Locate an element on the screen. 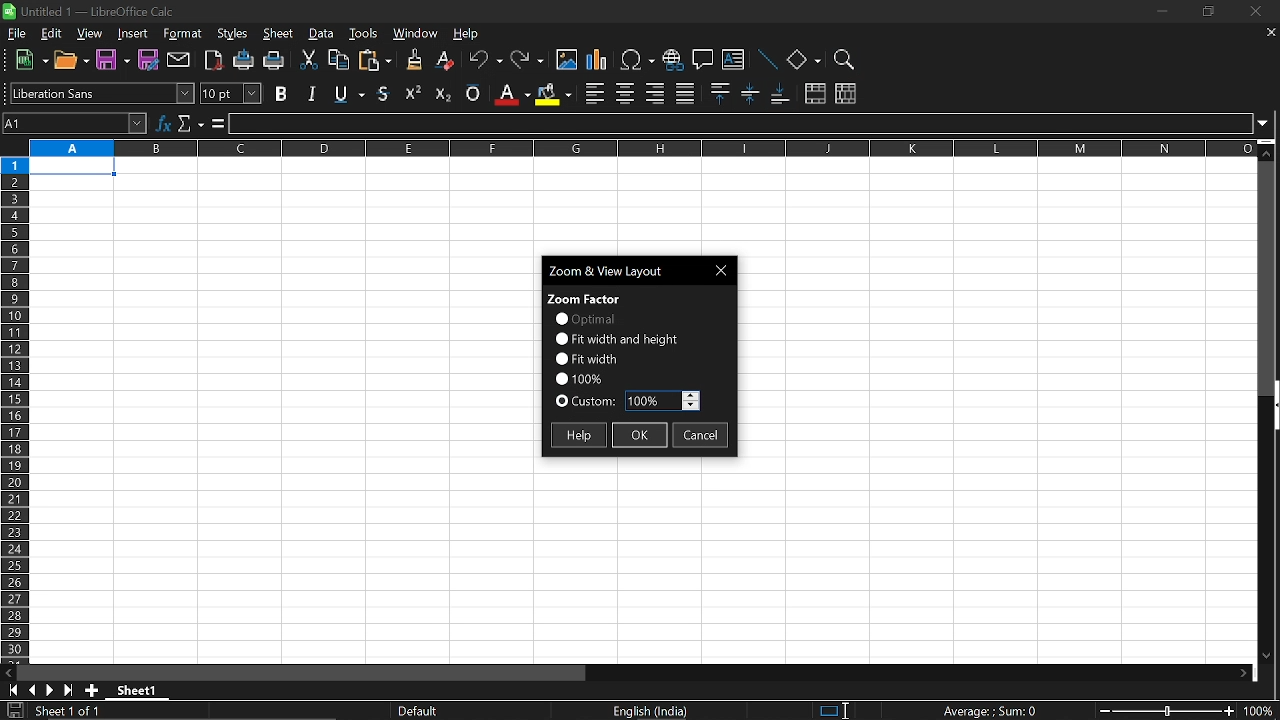 The image size is (1280, 720). cut is located at coordinates (307, 61).